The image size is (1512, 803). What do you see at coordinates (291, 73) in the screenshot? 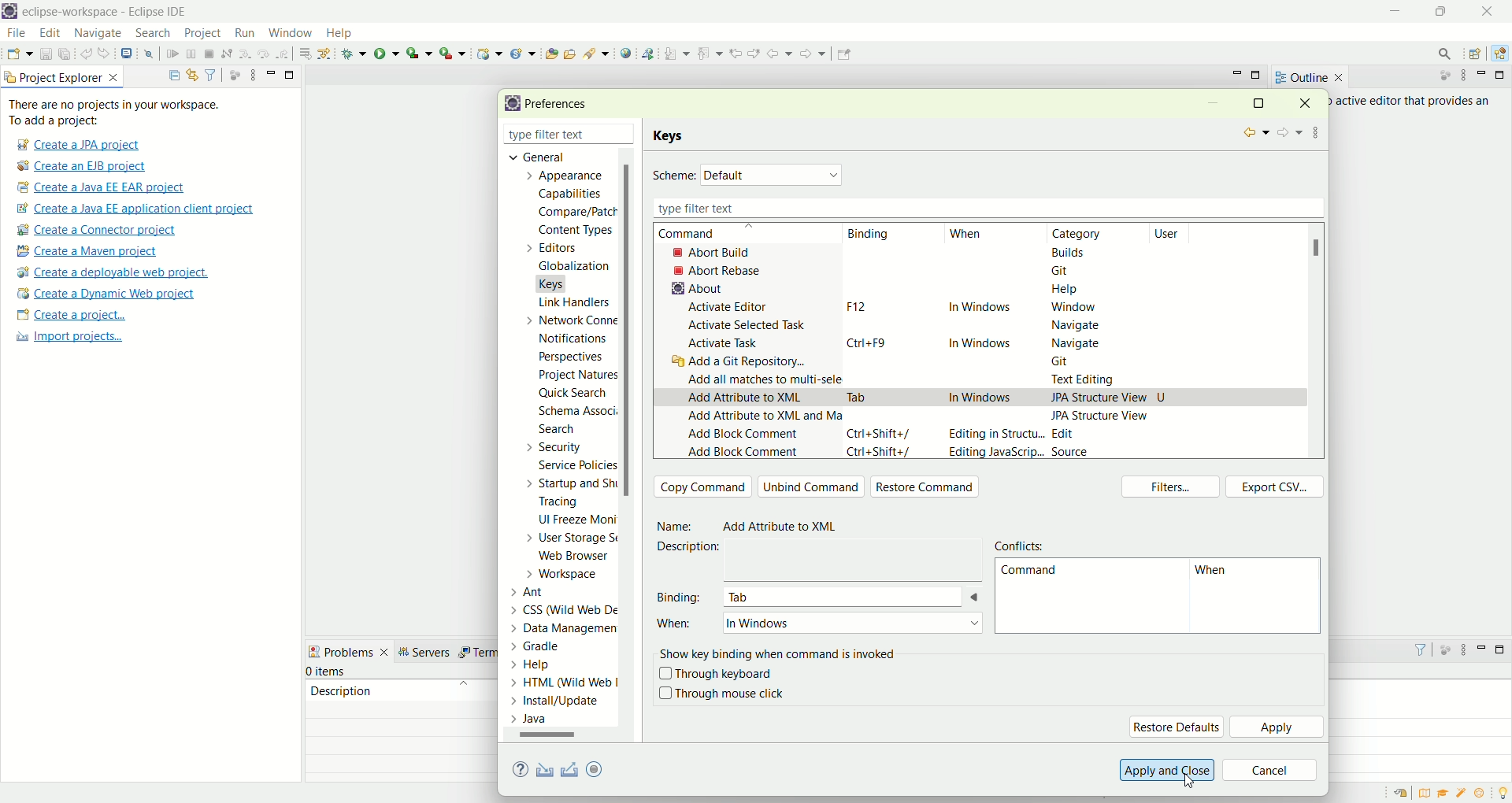
I see `maximize` at bounding box center [291, 73].